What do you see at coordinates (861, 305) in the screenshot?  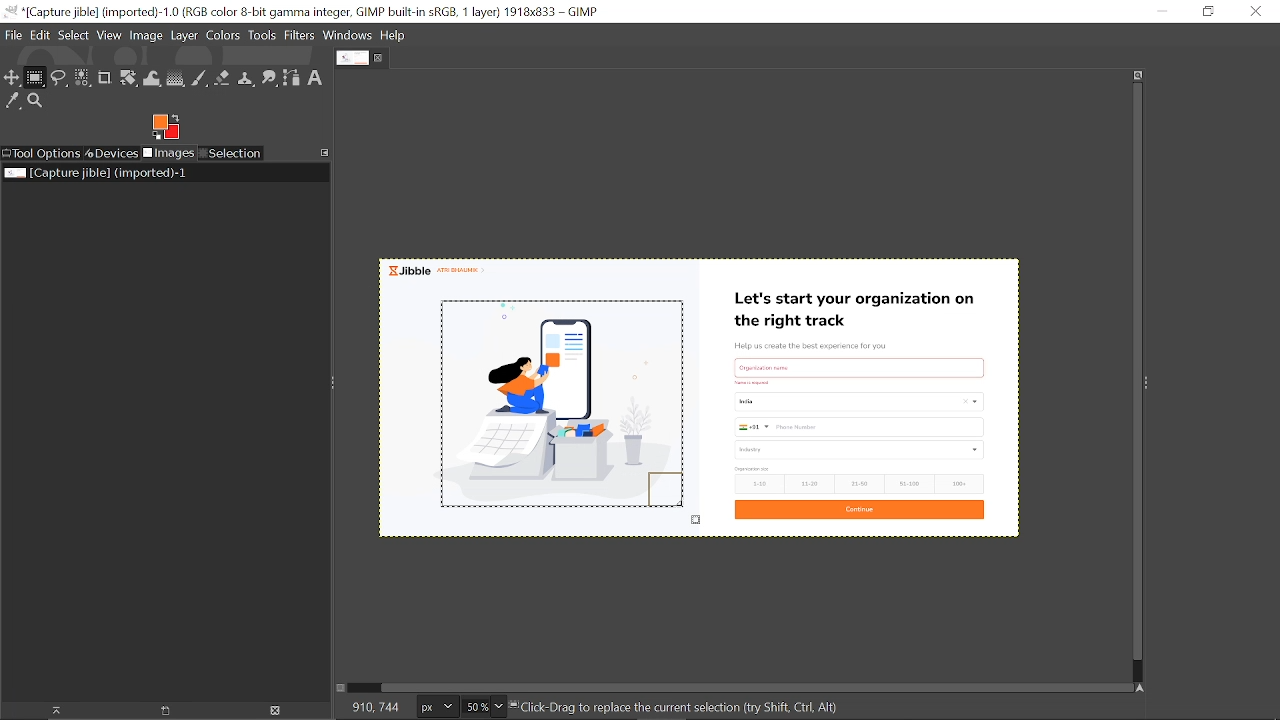 I see `Let's start your organization on
the right track` at bounding box center [861, 305].